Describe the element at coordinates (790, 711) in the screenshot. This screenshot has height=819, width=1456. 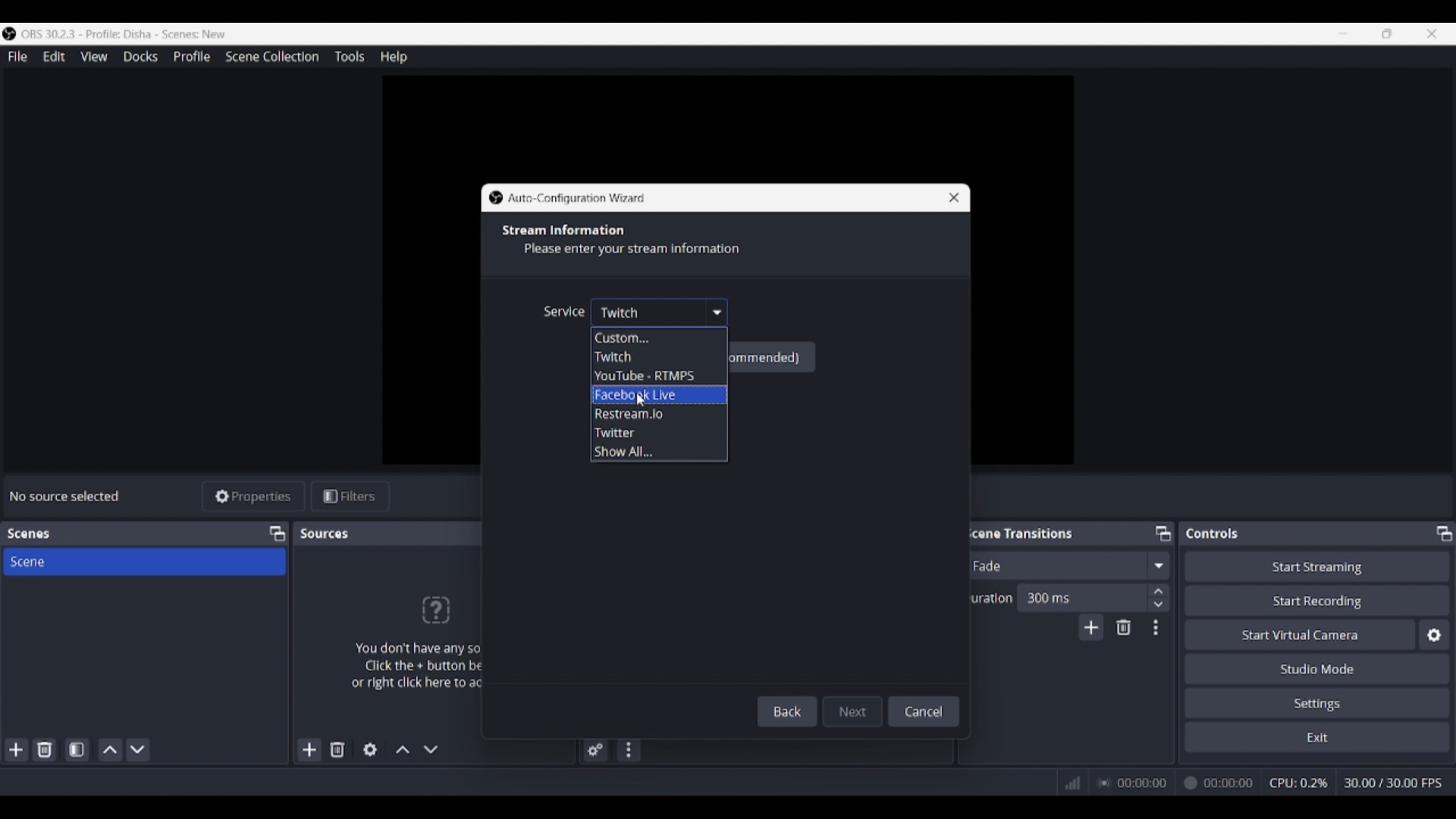
I see `Back` at that location.